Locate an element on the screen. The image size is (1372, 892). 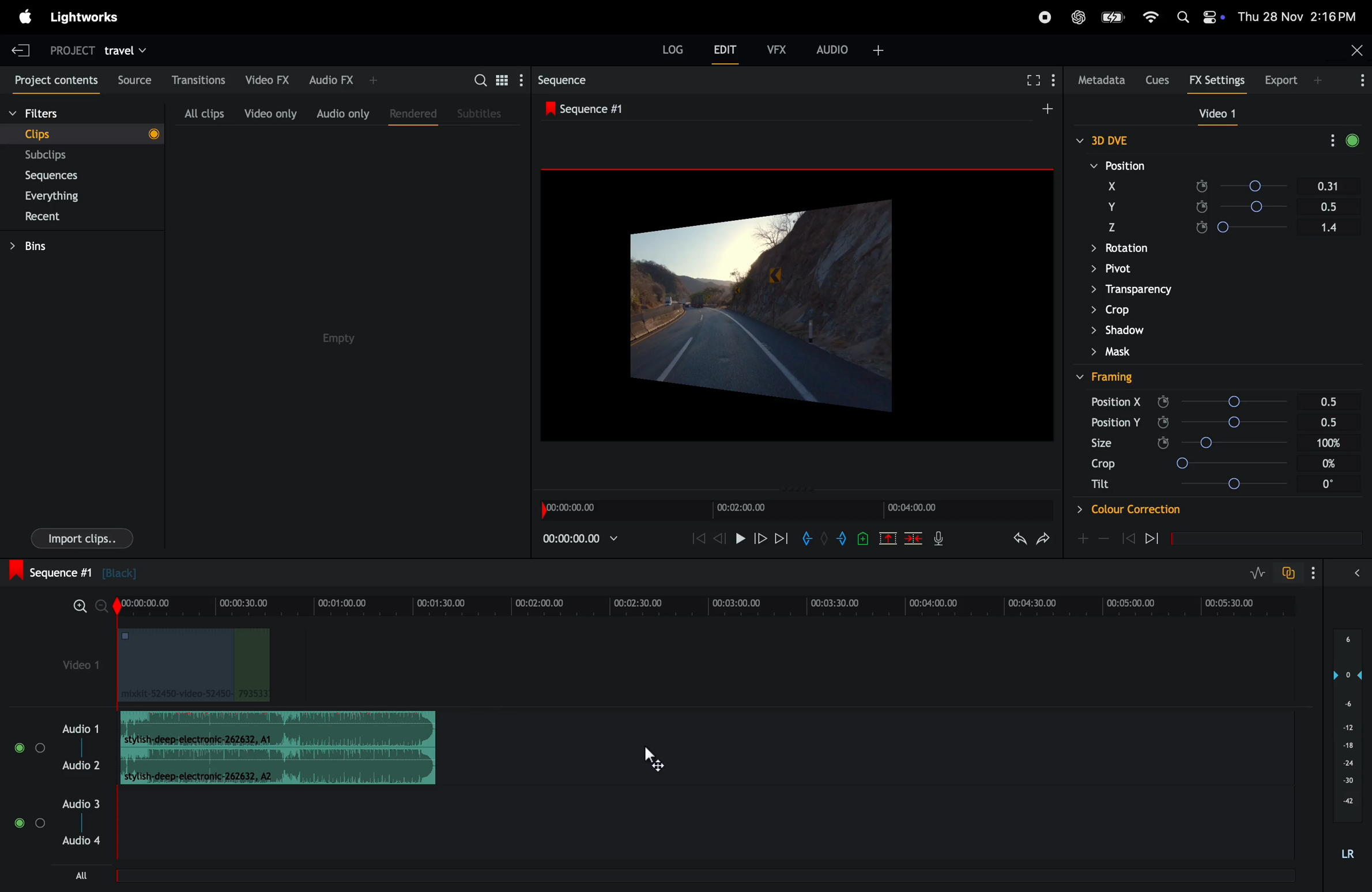
apple widgets is located at coordinates (1198, 14).